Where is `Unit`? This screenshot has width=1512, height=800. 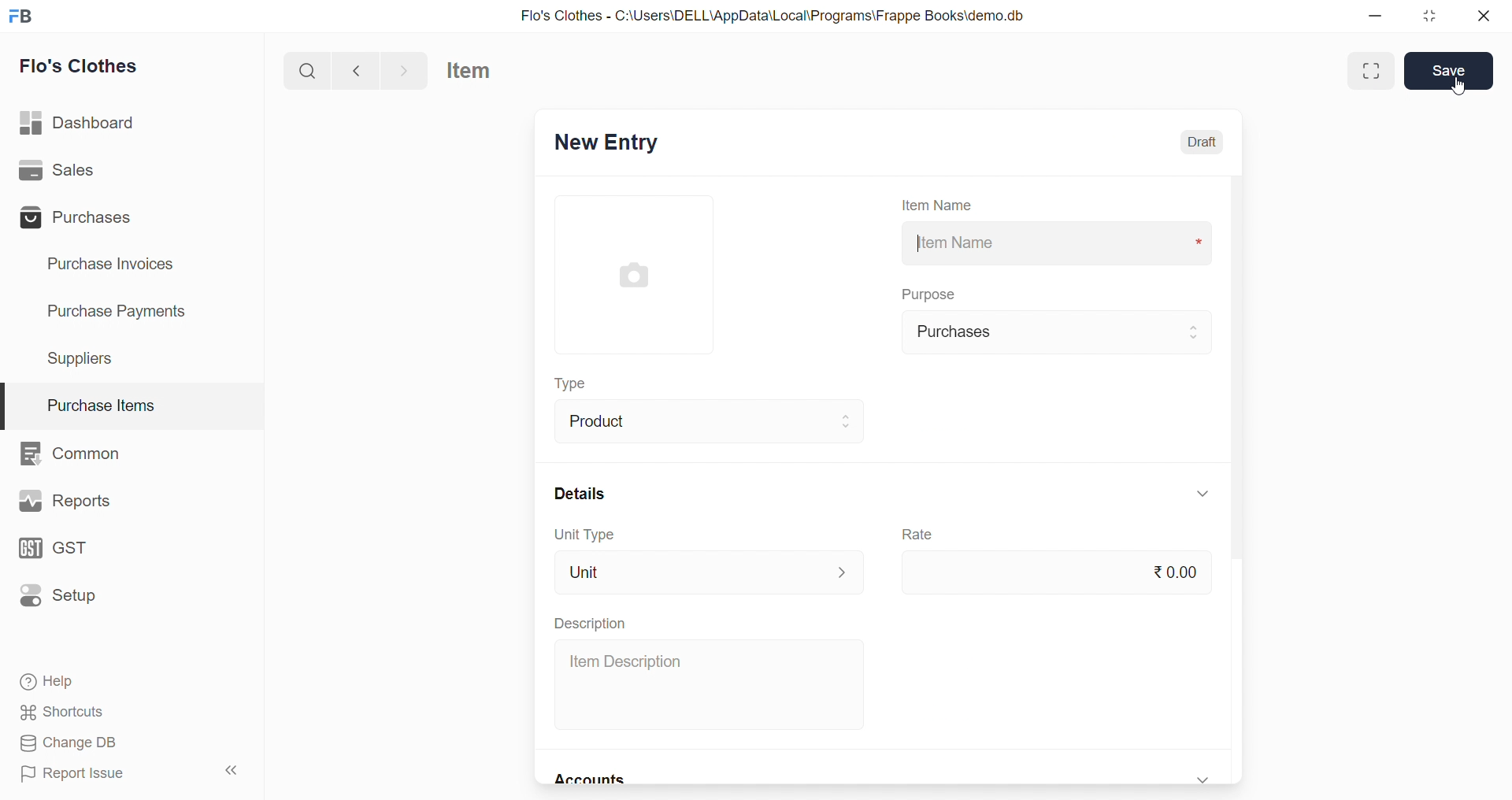 Unit is located at coordinates (710, 572).